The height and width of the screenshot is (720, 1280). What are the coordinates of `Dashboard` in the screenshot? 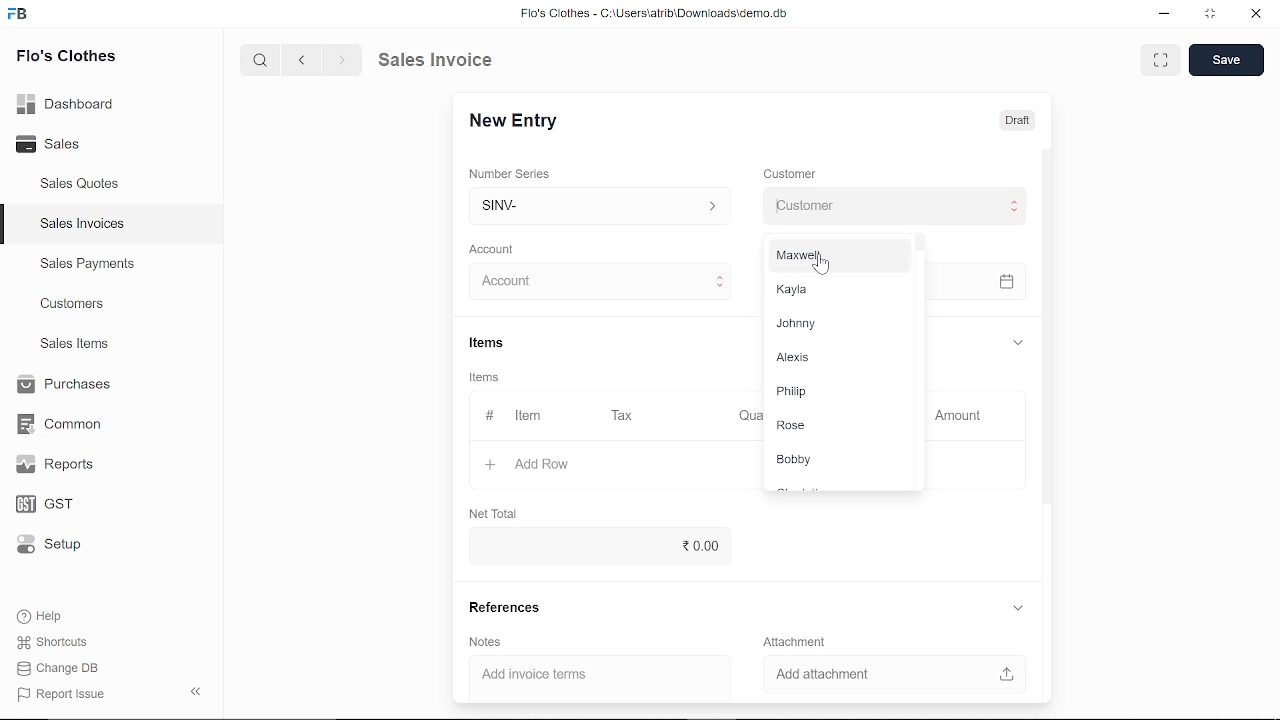 It's located at (67, 107).